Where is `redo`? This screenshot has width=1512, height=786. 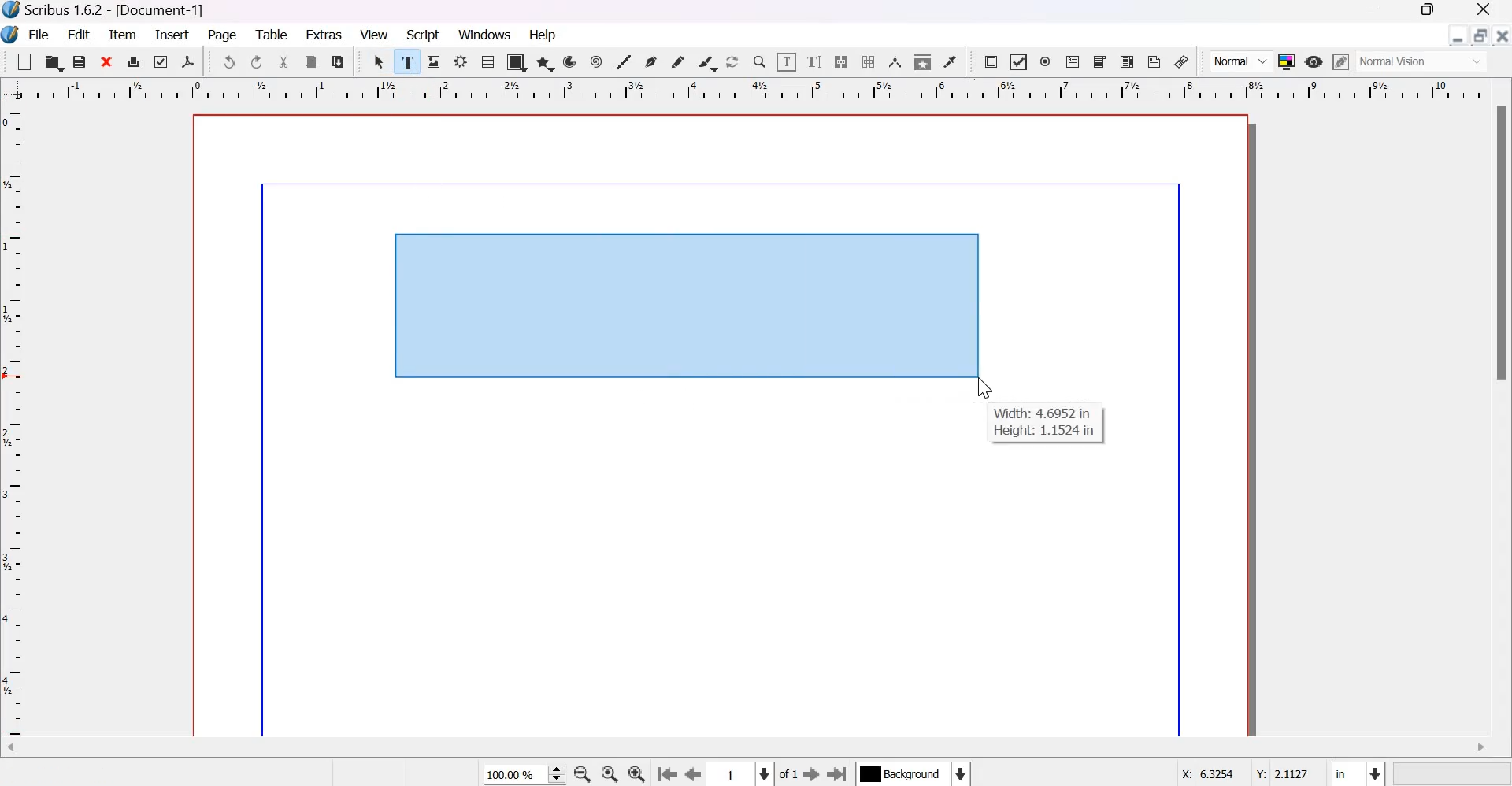
redo is located at coordinates (258, 62).